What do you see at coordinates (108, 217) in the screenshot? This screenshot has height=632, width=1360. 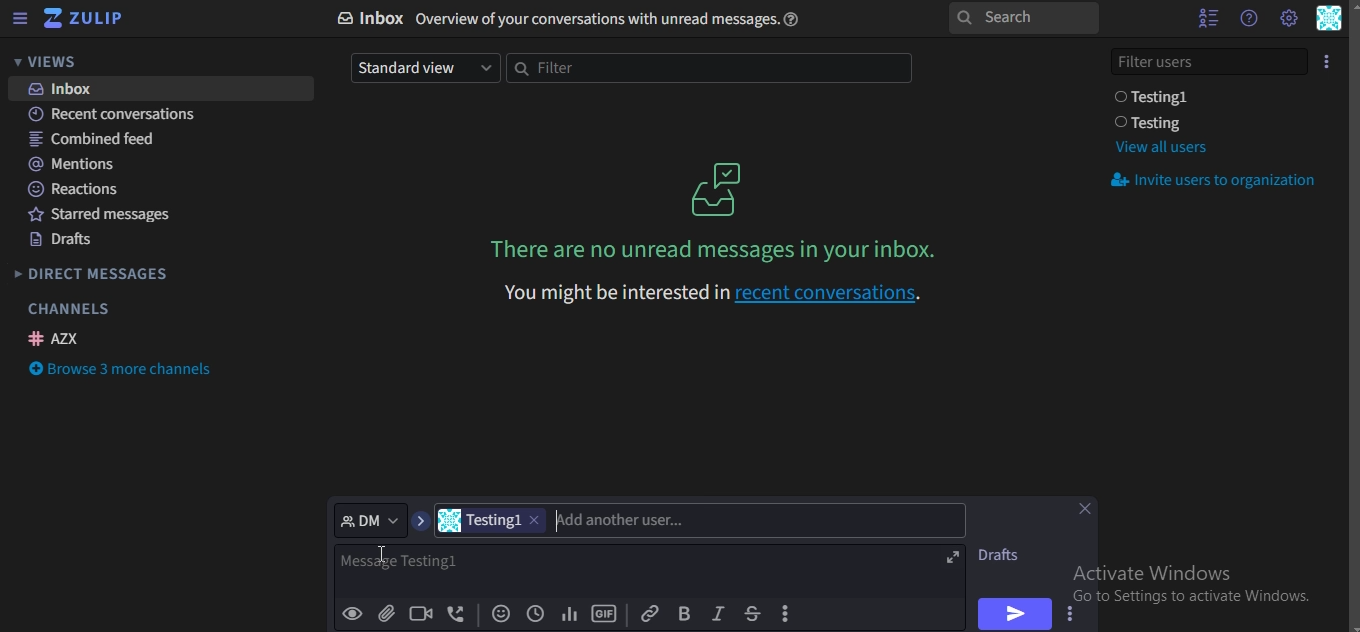 I see `starred messages` at bounding box center [108, 217].